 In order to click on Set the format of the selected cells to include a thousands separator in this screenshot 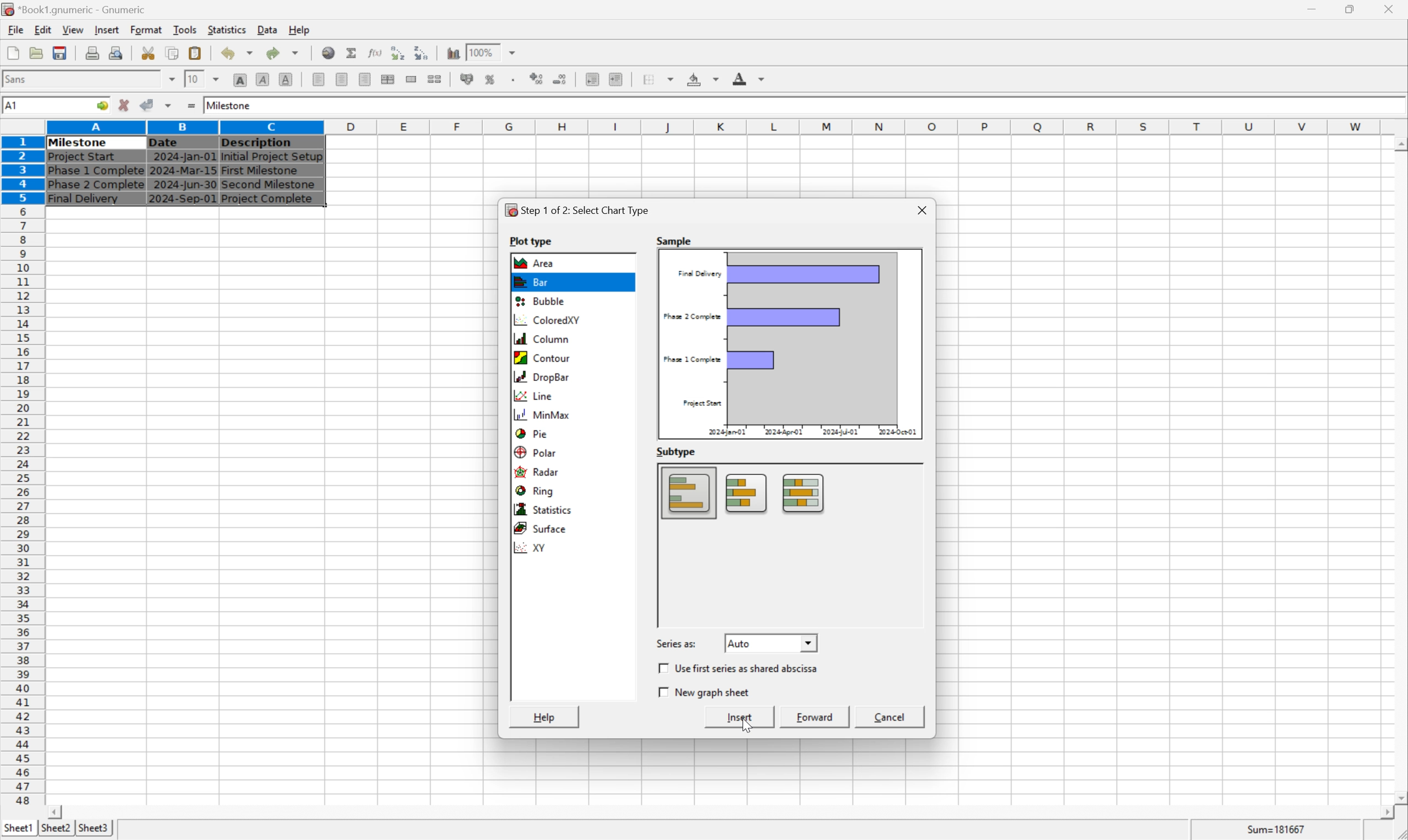, I will do `click(516, 79)`.